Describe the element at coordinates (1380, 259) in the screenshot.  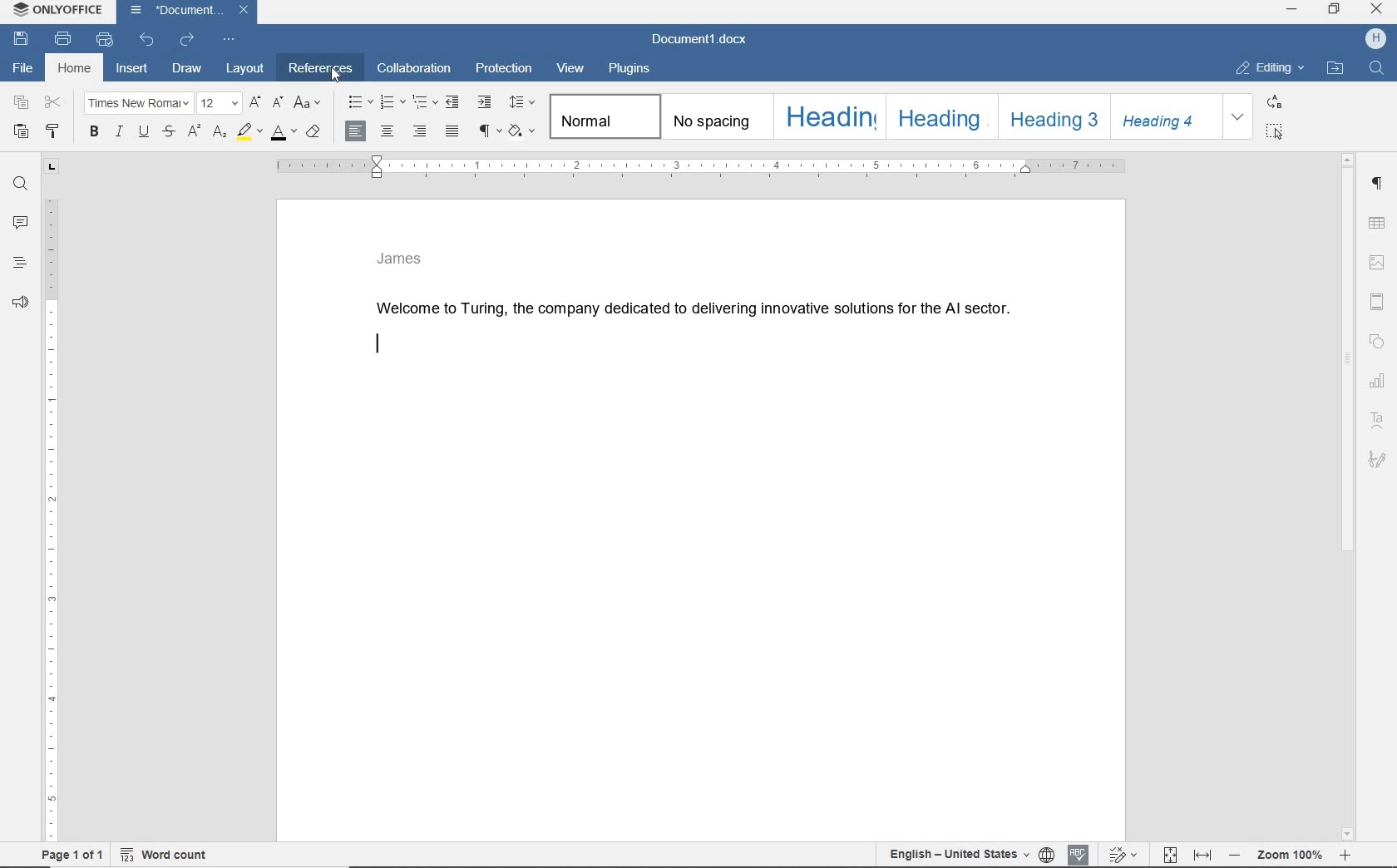
I see `image` at that location.